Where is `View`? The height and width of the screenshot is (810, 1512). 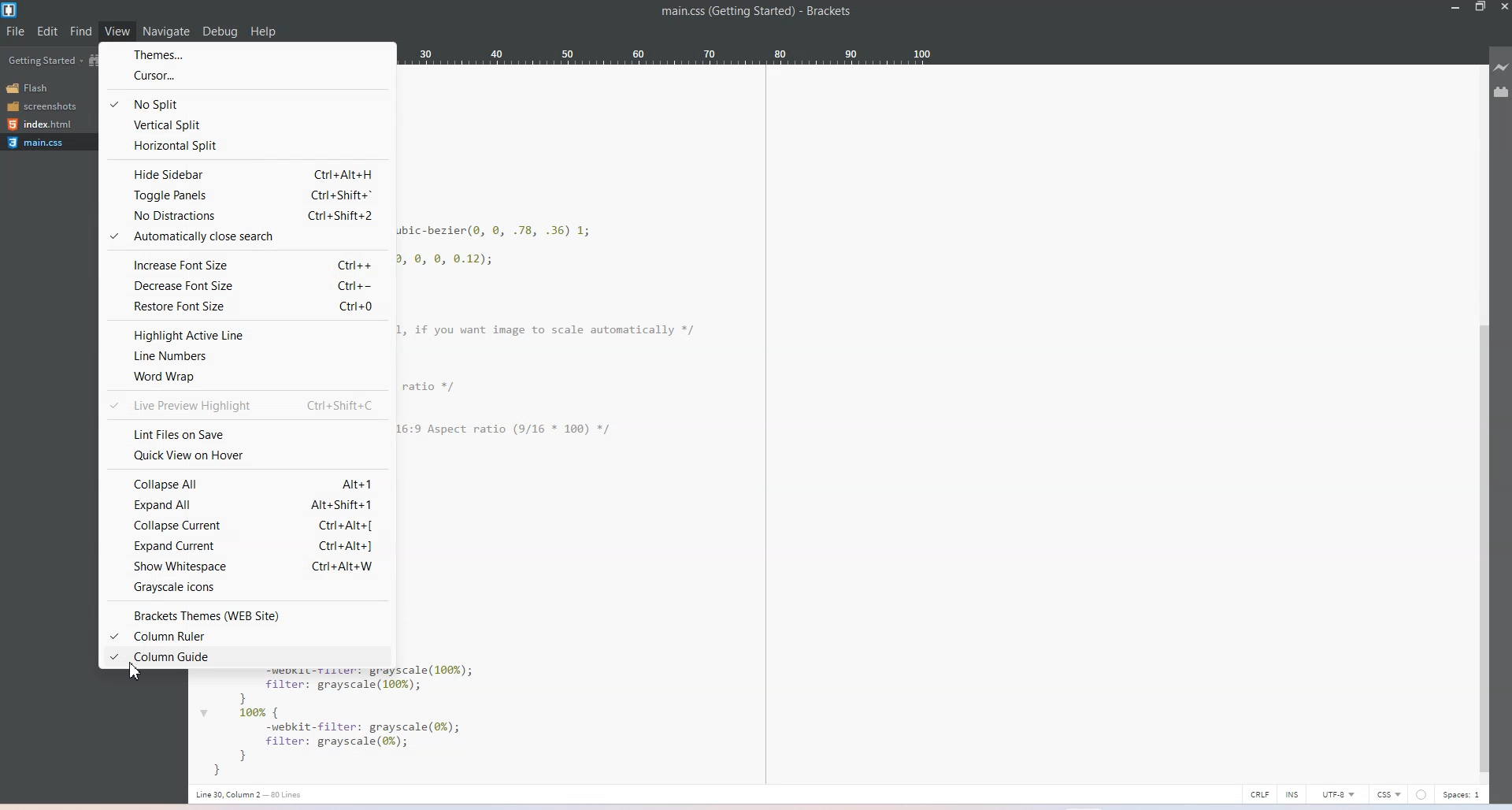 View is located at coordinates (117, 32).